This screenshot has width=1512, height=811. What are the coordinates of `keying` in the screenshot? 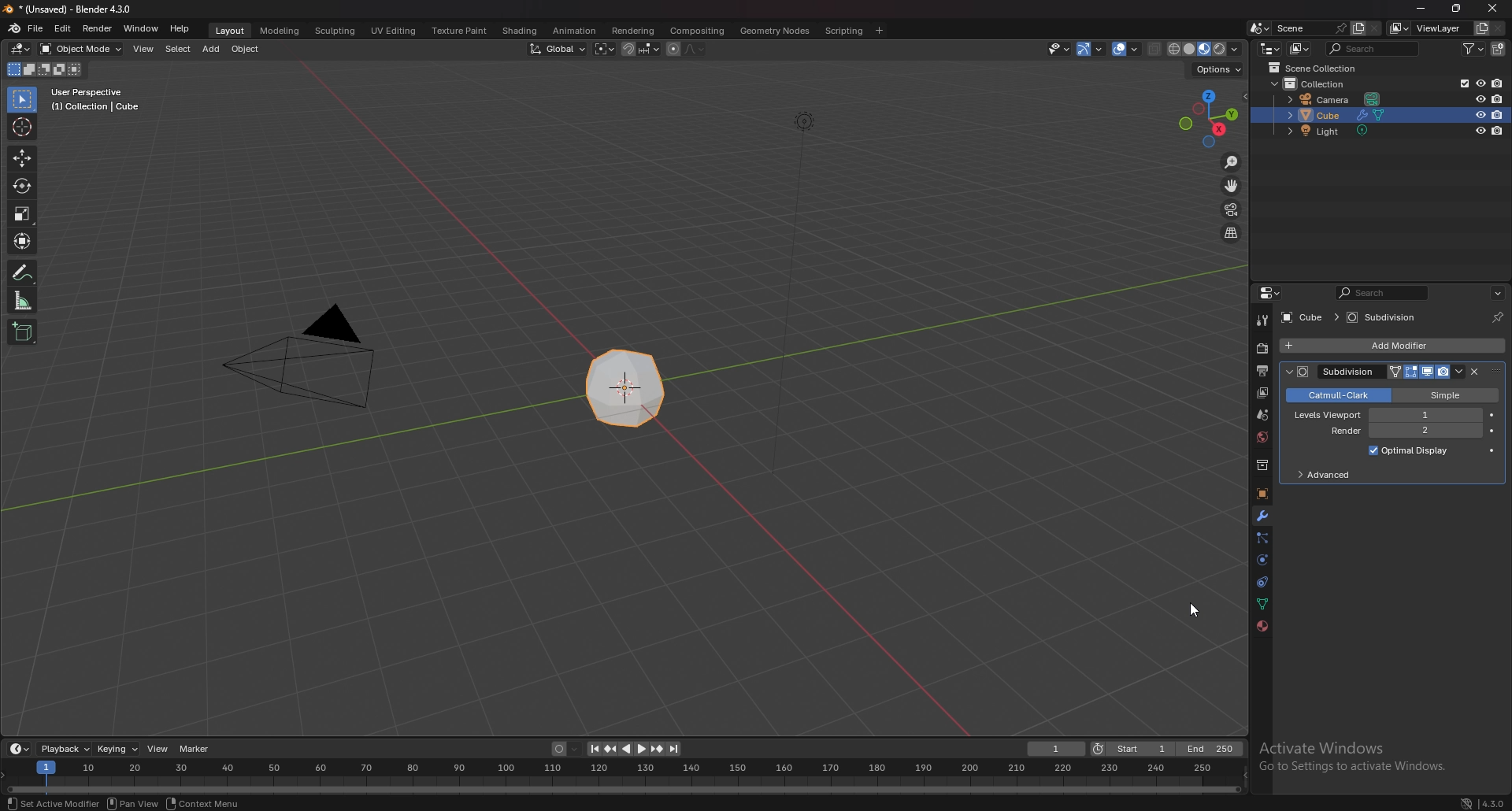 It's located at (117, 749).